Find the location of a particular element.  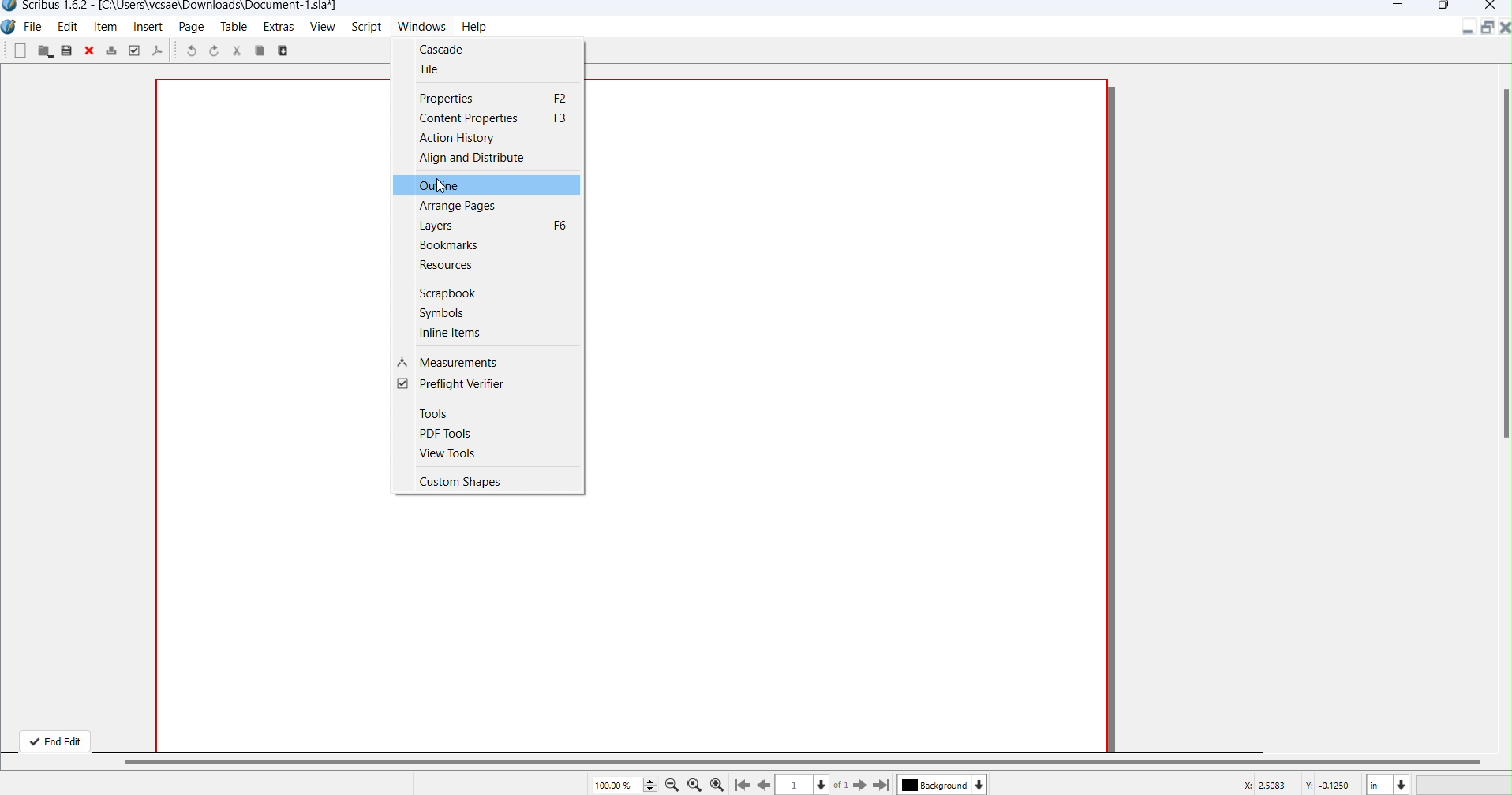

Box is located at coordinates (1443, 7).